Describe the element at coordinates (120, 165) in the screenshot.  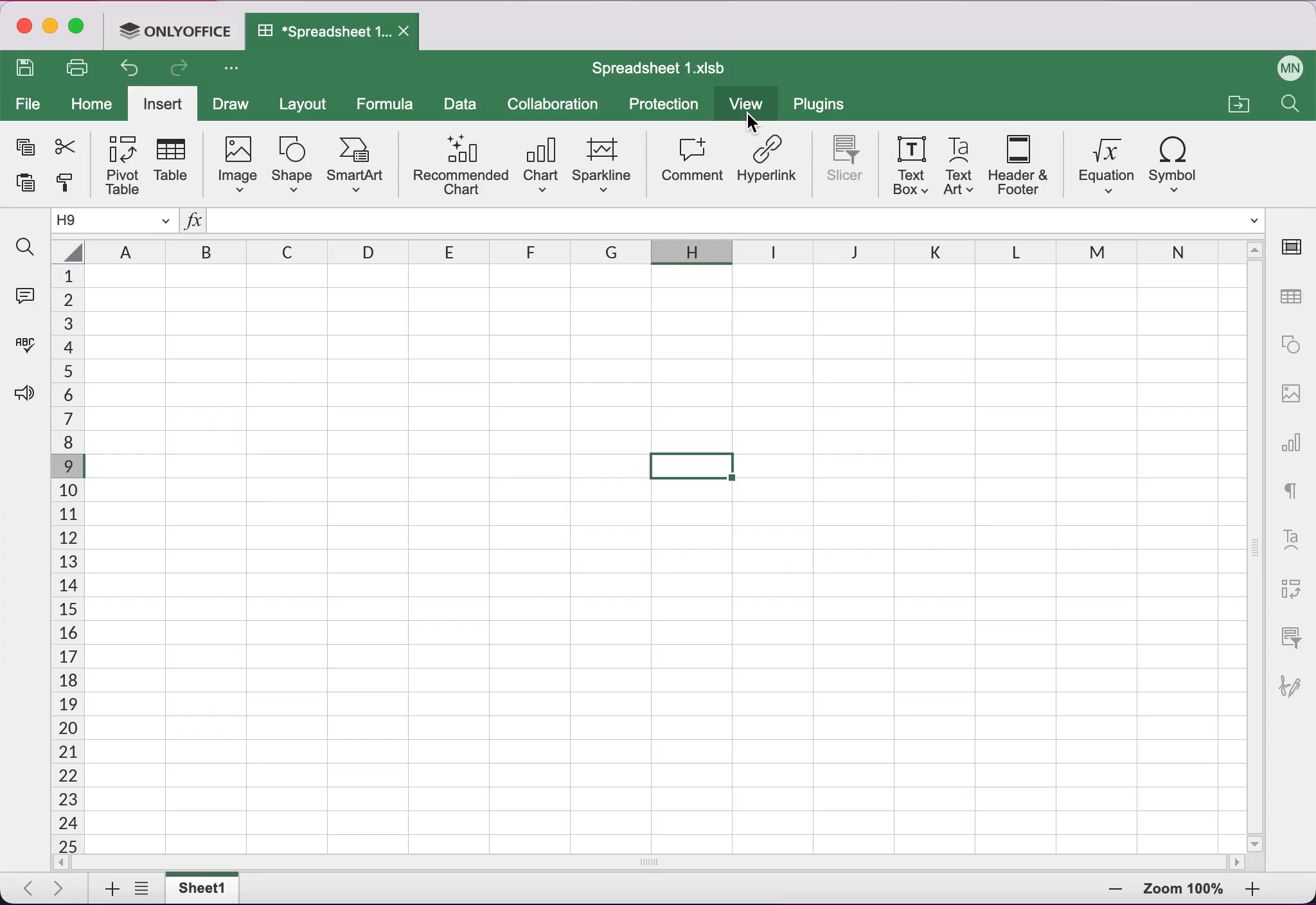
I see `pivot table` at that location.